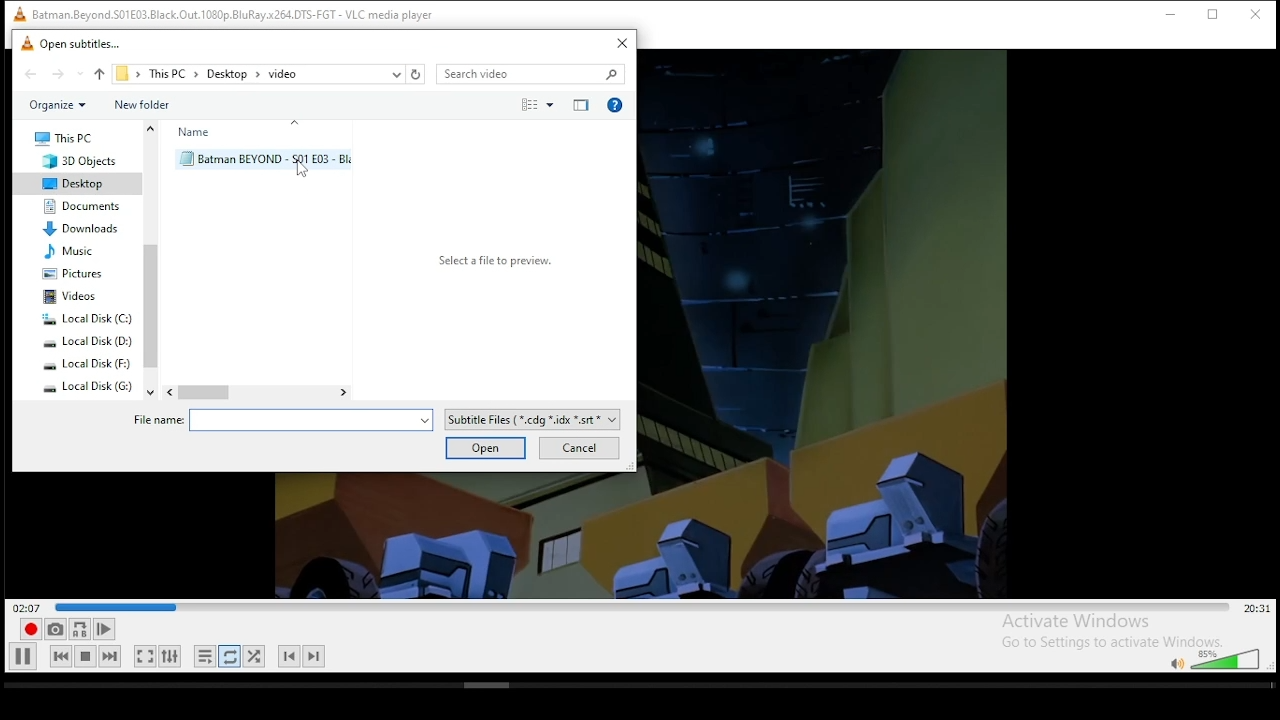 This screenshot has height=720, width=1280. What do you see at coordinates (581, 106) in the screenshot?
I see `close preview pane` at bounding box center [581, 106].